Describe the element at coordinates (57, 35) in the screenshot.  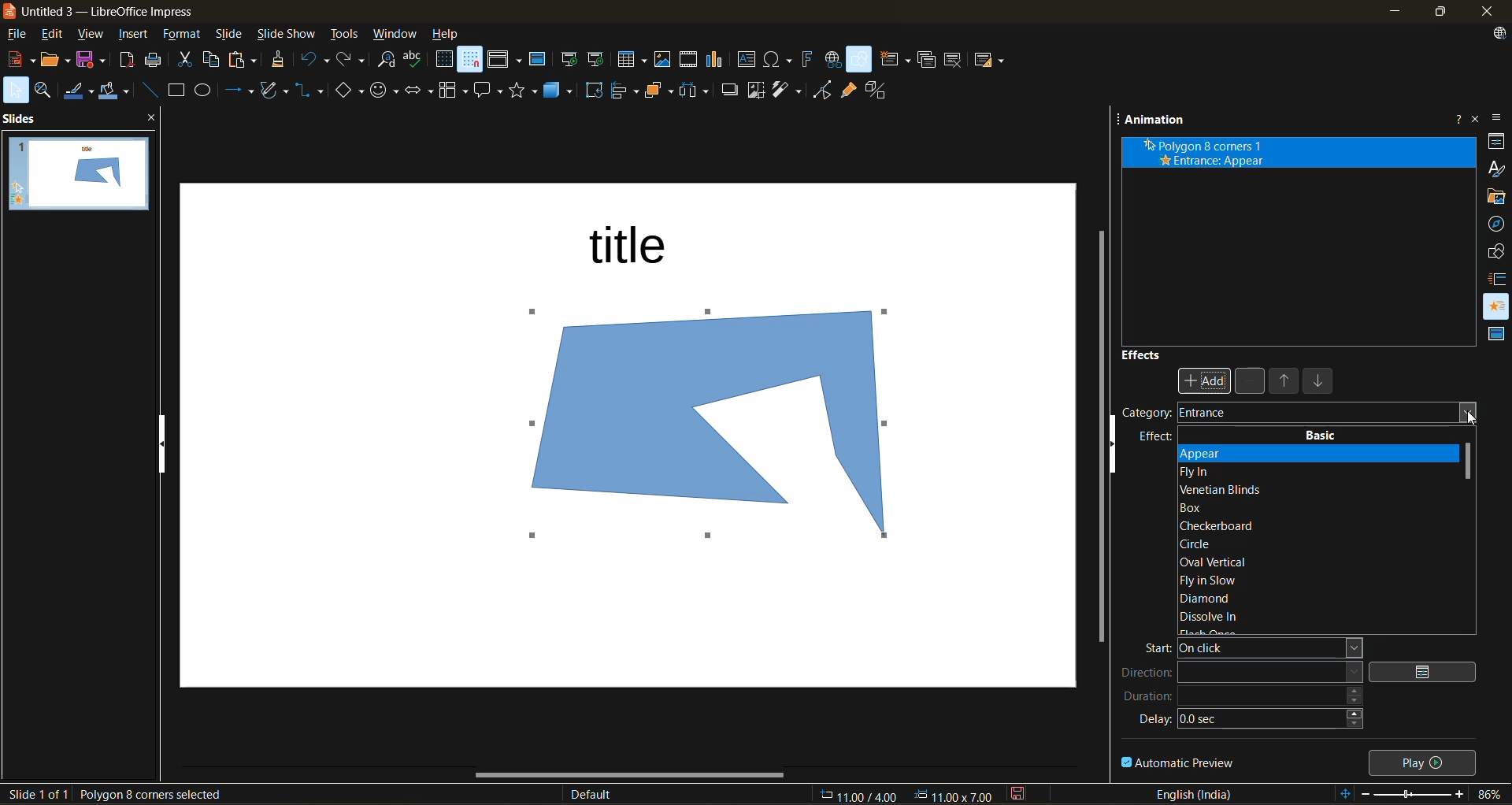
I see `edit` at that location.